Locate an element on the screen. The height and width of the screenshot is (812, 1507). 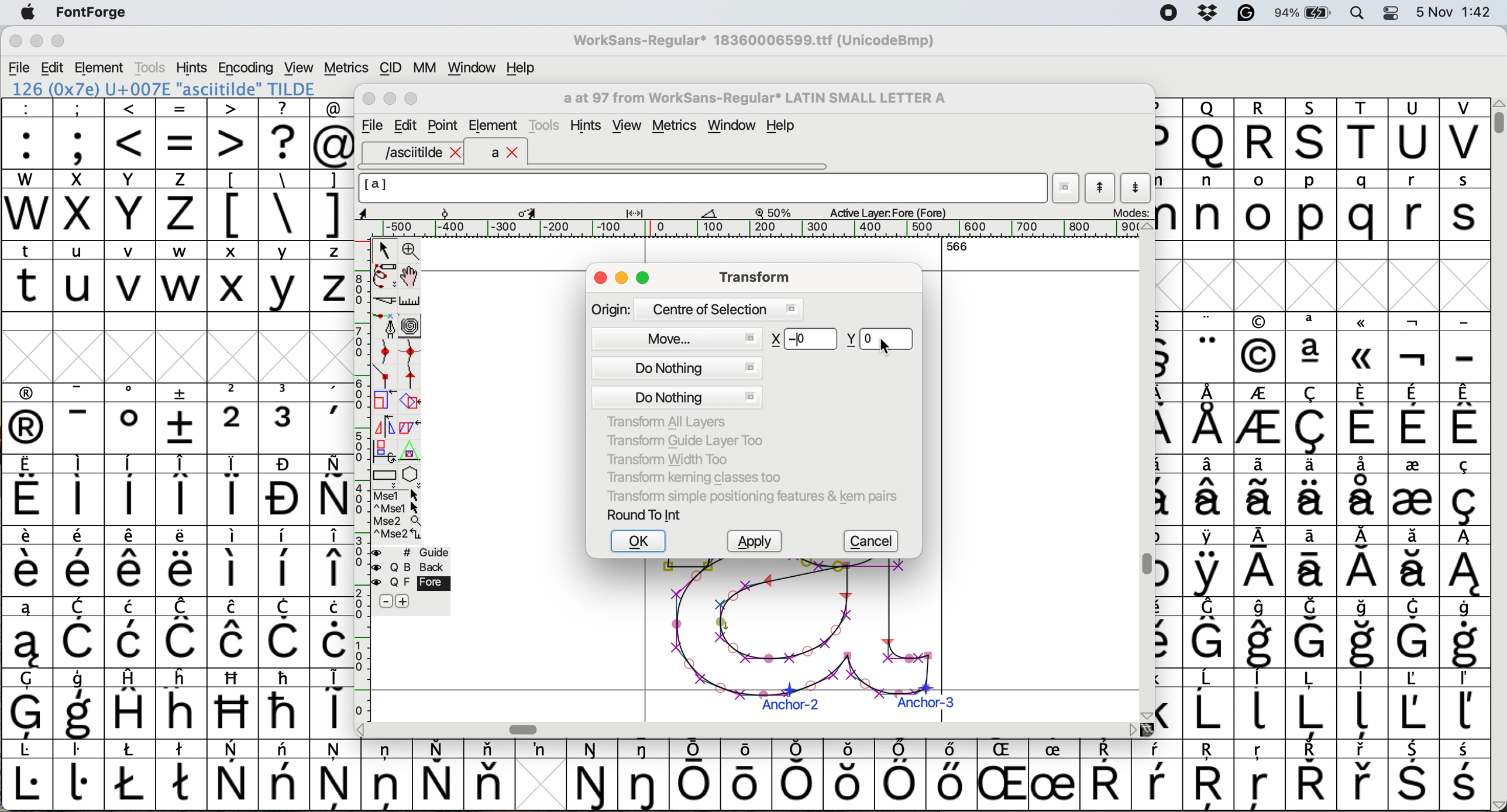
spotlight search is located at coordinates (1364, 12).